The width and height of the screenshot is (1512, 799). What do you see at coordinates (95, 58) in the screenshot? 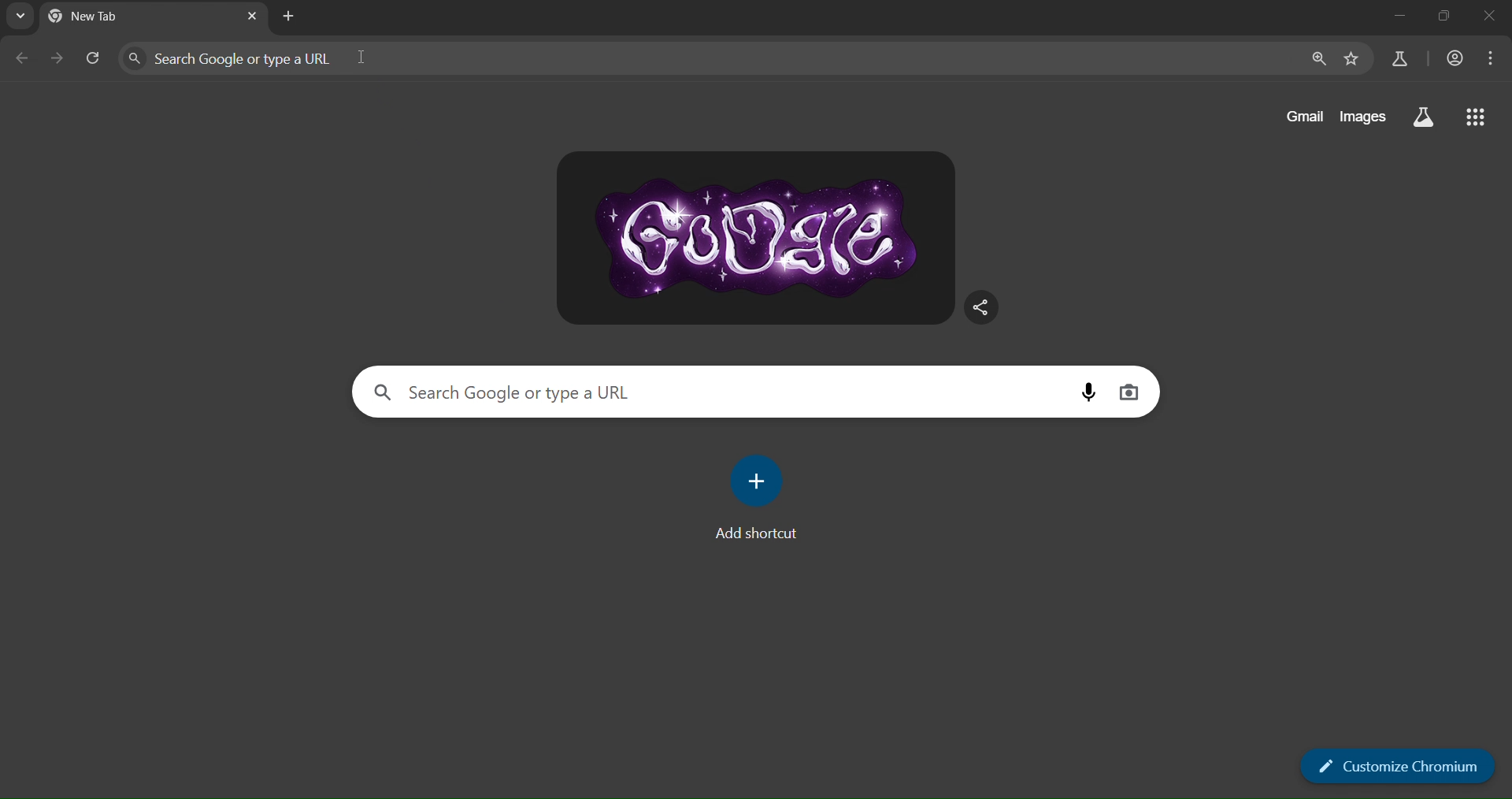
I see `reload page` at bounding box center [95, 58].